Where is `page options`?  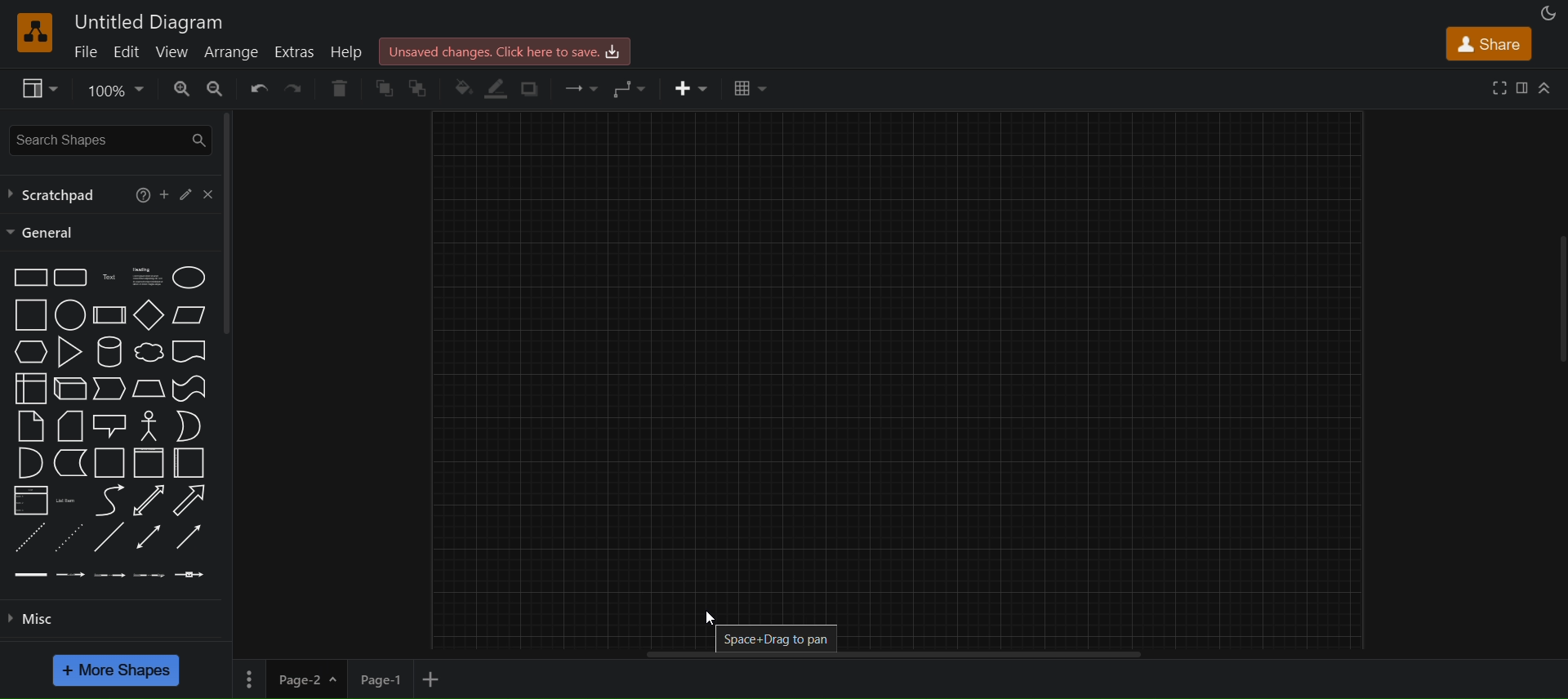 page options is located at coordinates (248, 678).